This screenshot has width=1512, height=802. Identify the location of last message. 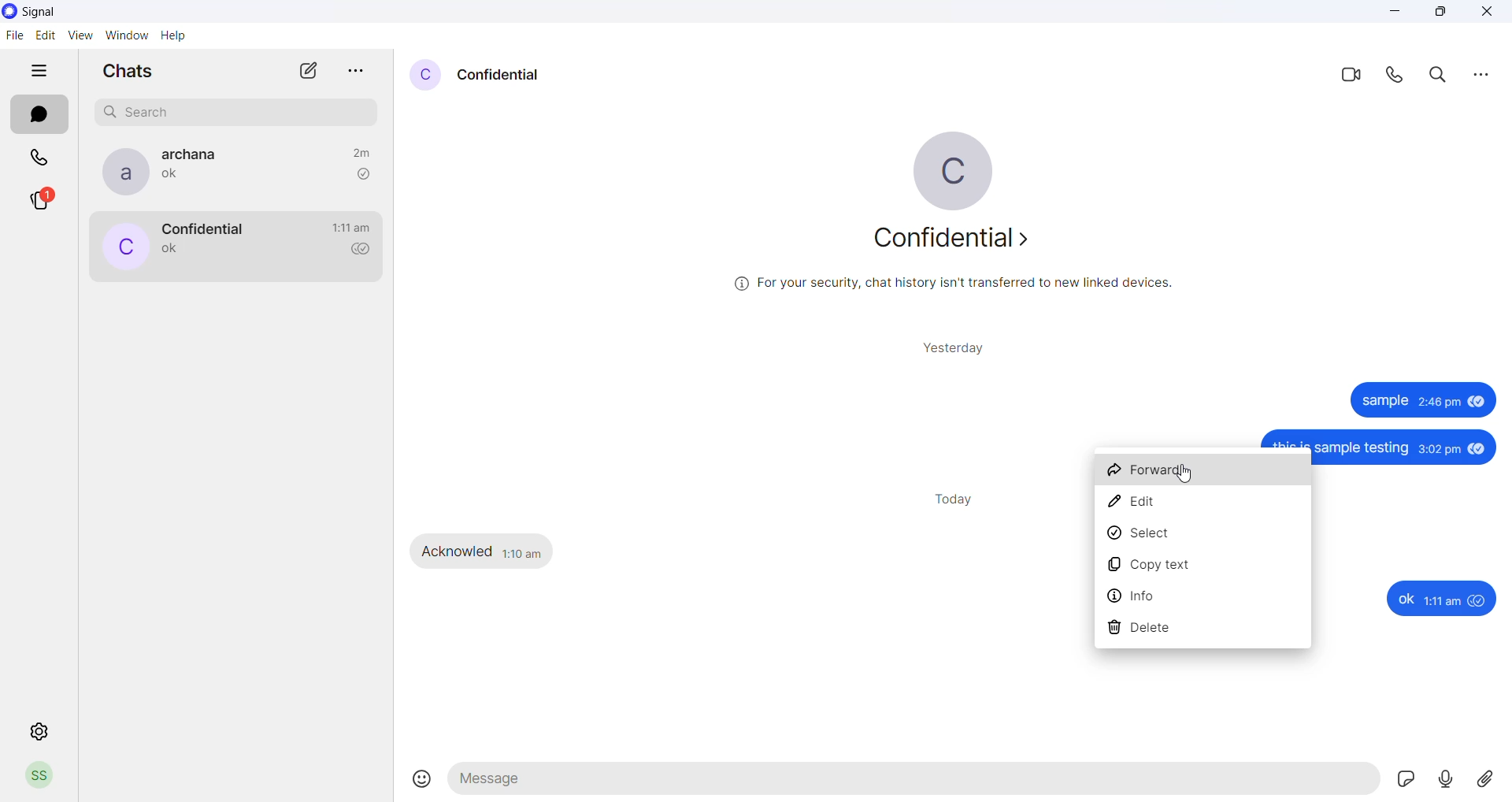
(174, 177).